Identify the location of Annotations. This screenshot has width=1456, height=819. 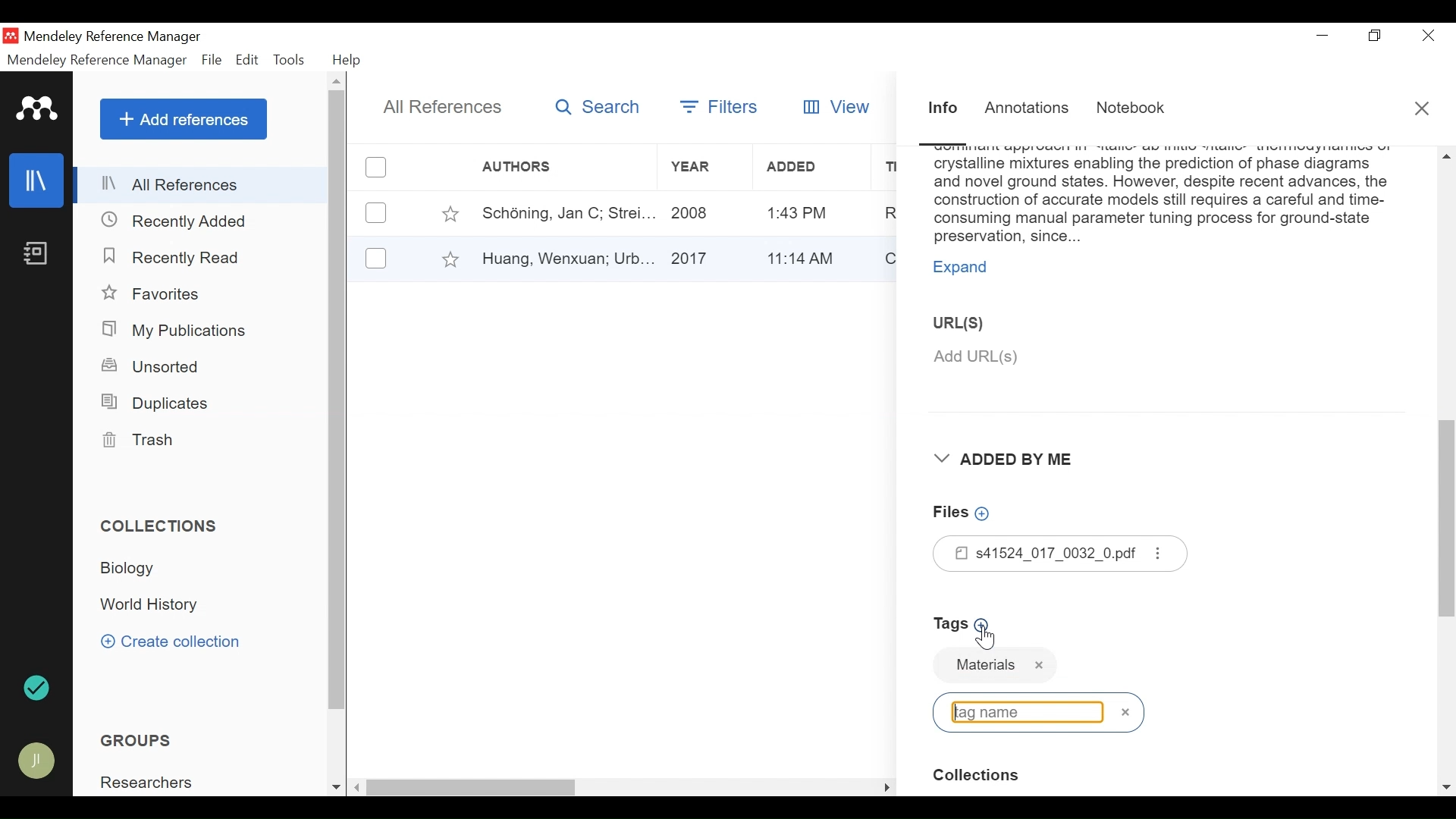
(1028, 110).